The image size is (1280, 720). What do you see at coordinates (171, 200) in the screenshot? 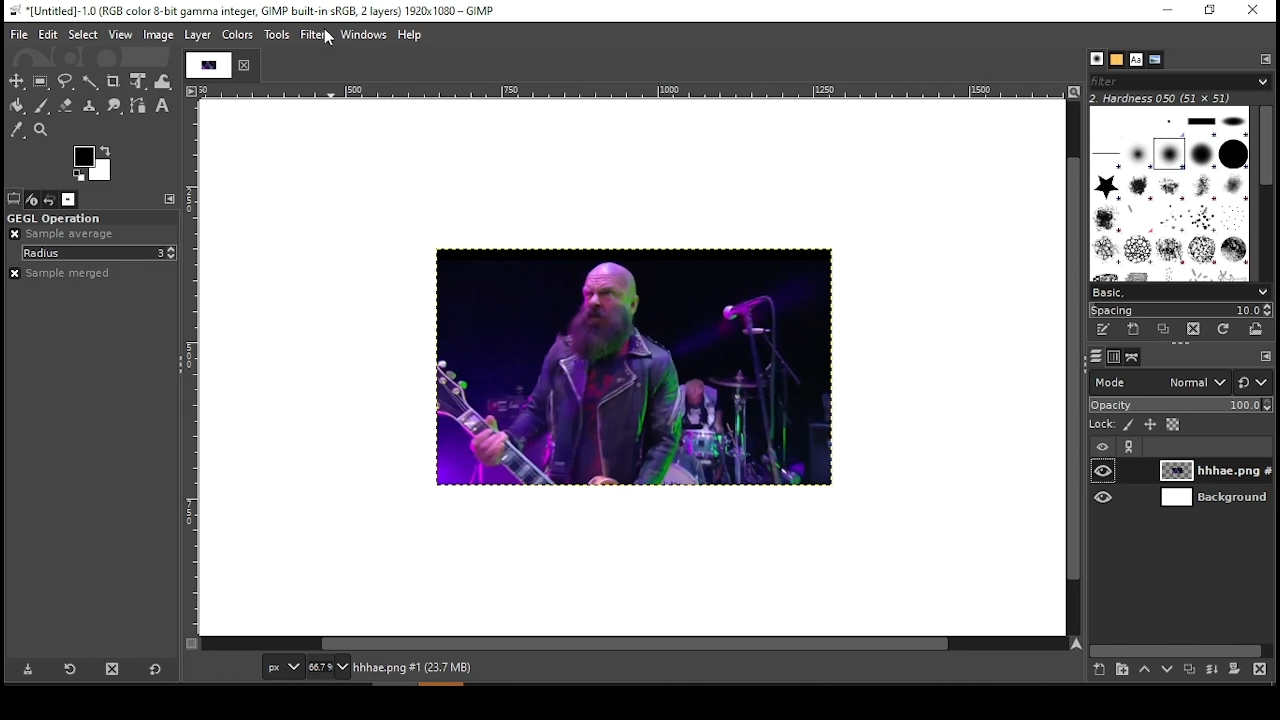
I see `configure this tab` at bounding box center [171, 200].